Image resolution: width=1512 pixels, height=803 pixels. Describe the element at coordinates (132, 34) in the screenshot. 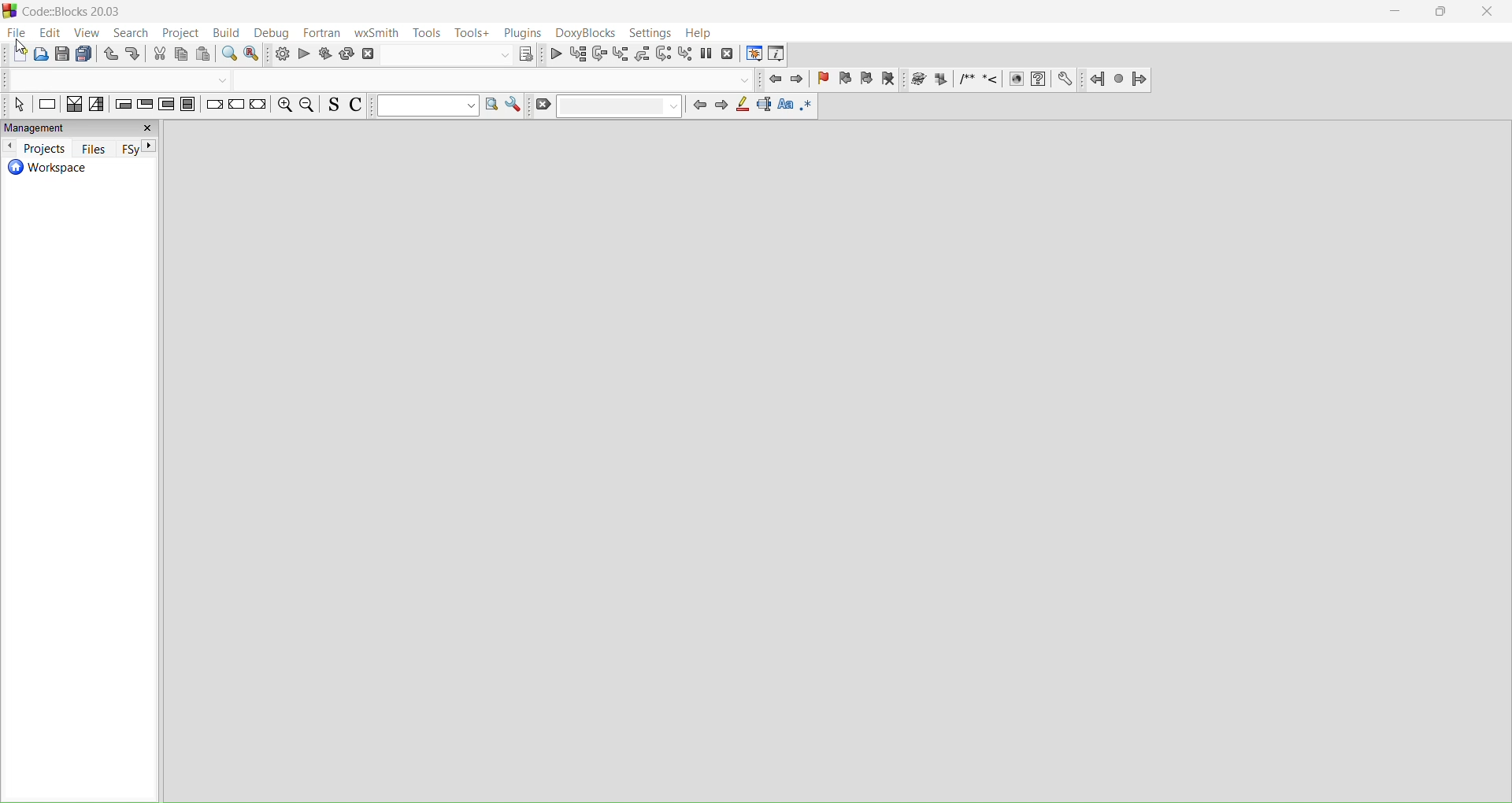

I see `search` at that location.